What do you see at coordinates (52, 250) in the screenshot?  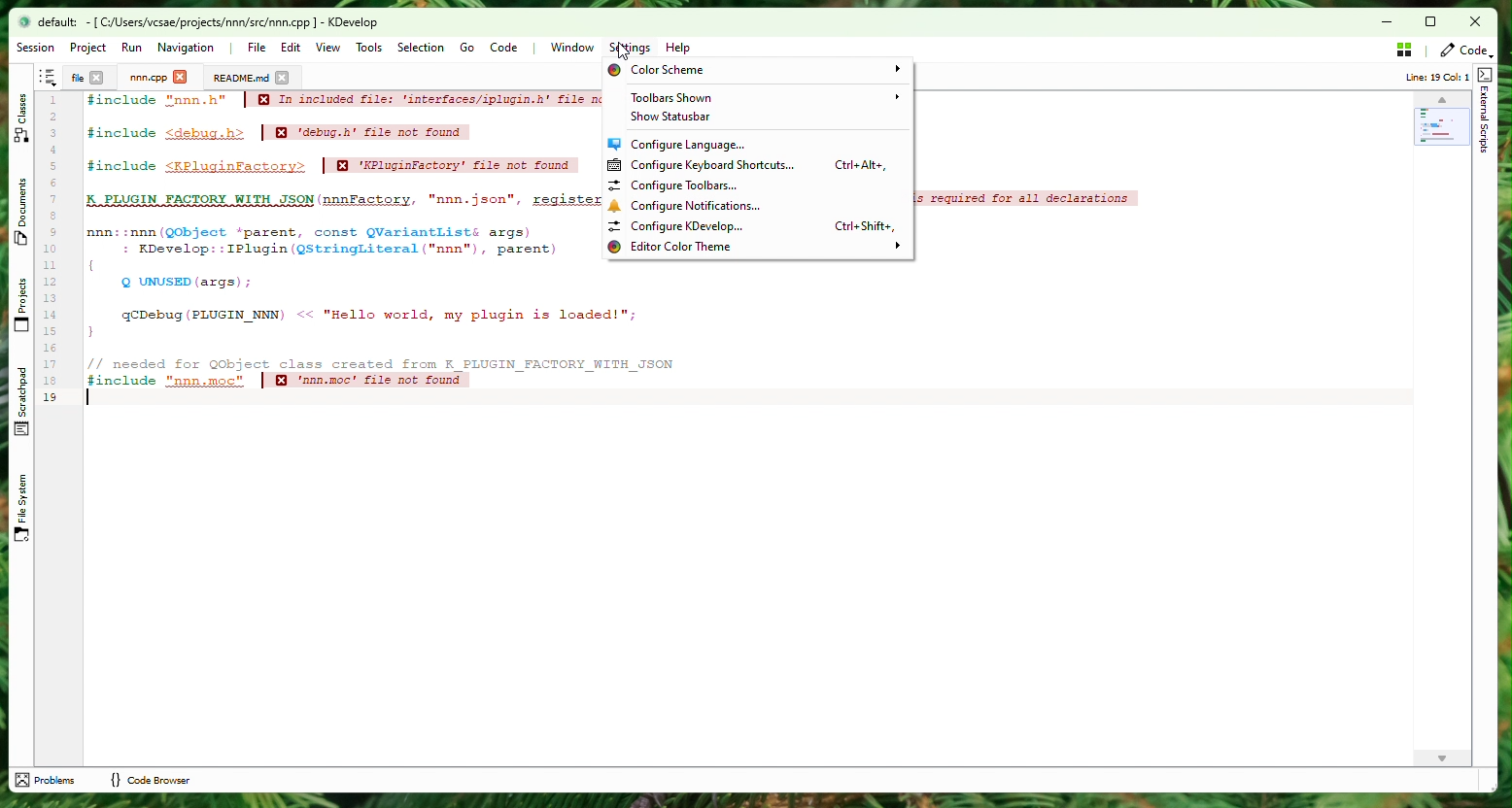 I see `10` at bounding box center [52, 250].